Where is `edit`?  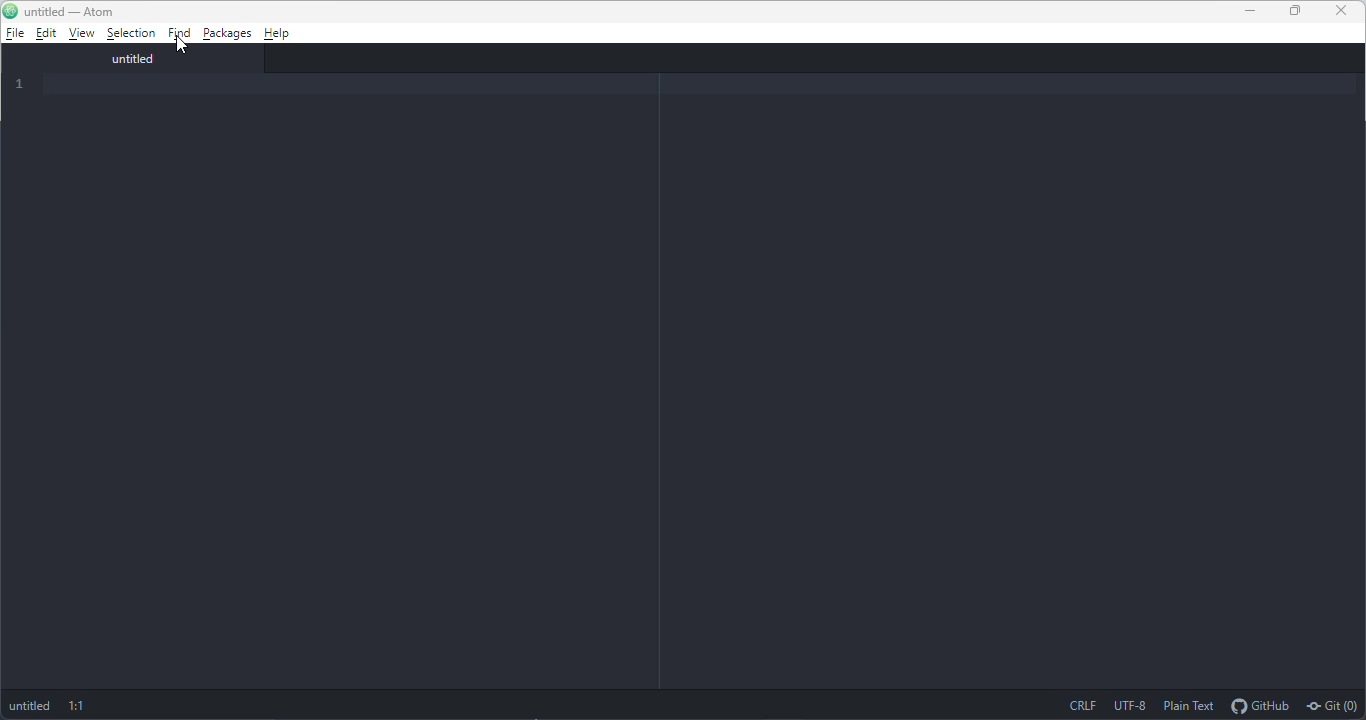 edit is located at coordinates (44, 32).